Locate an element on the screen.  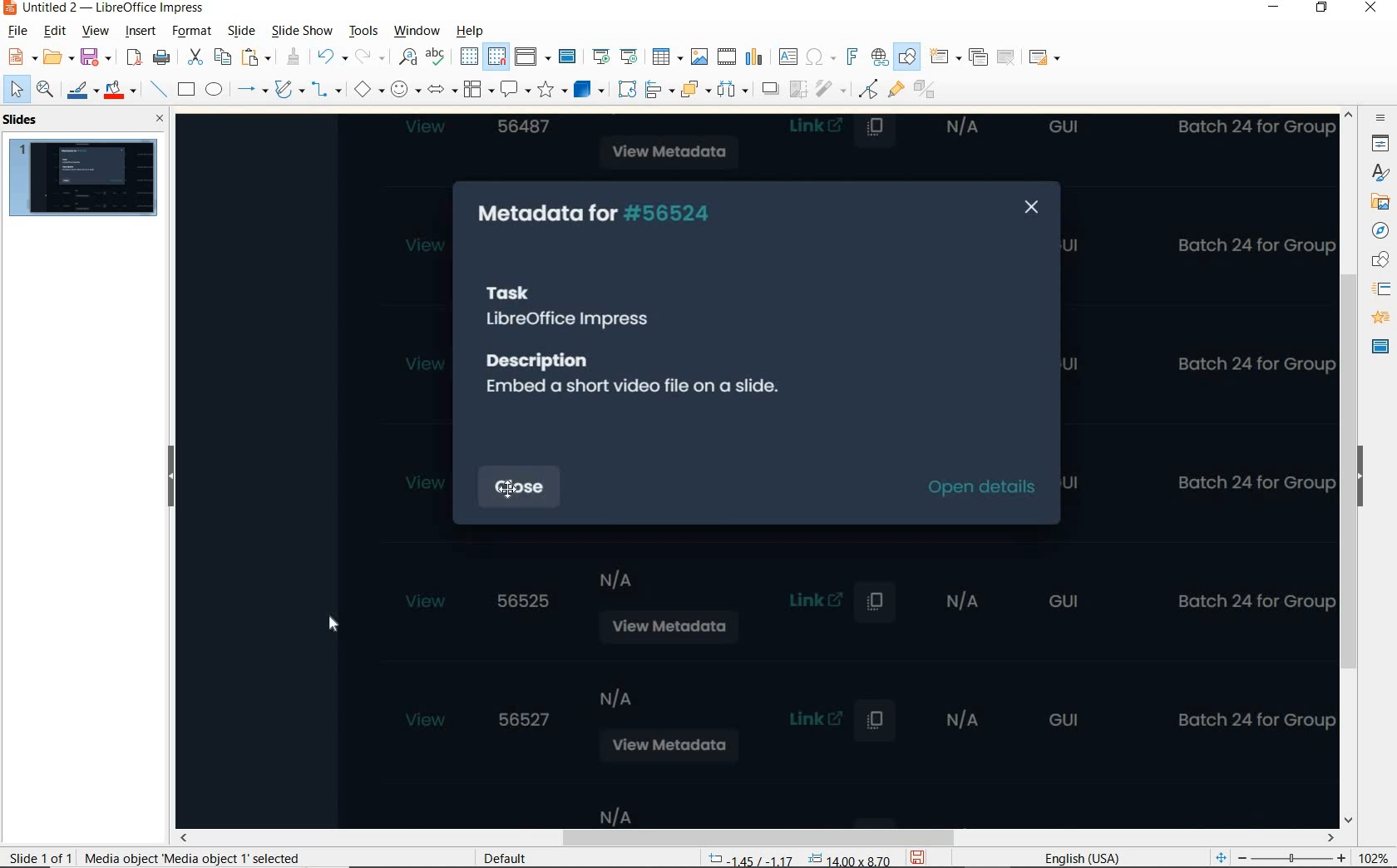
START FROM FIRST SLIDE is located at coordinates (601, 57).